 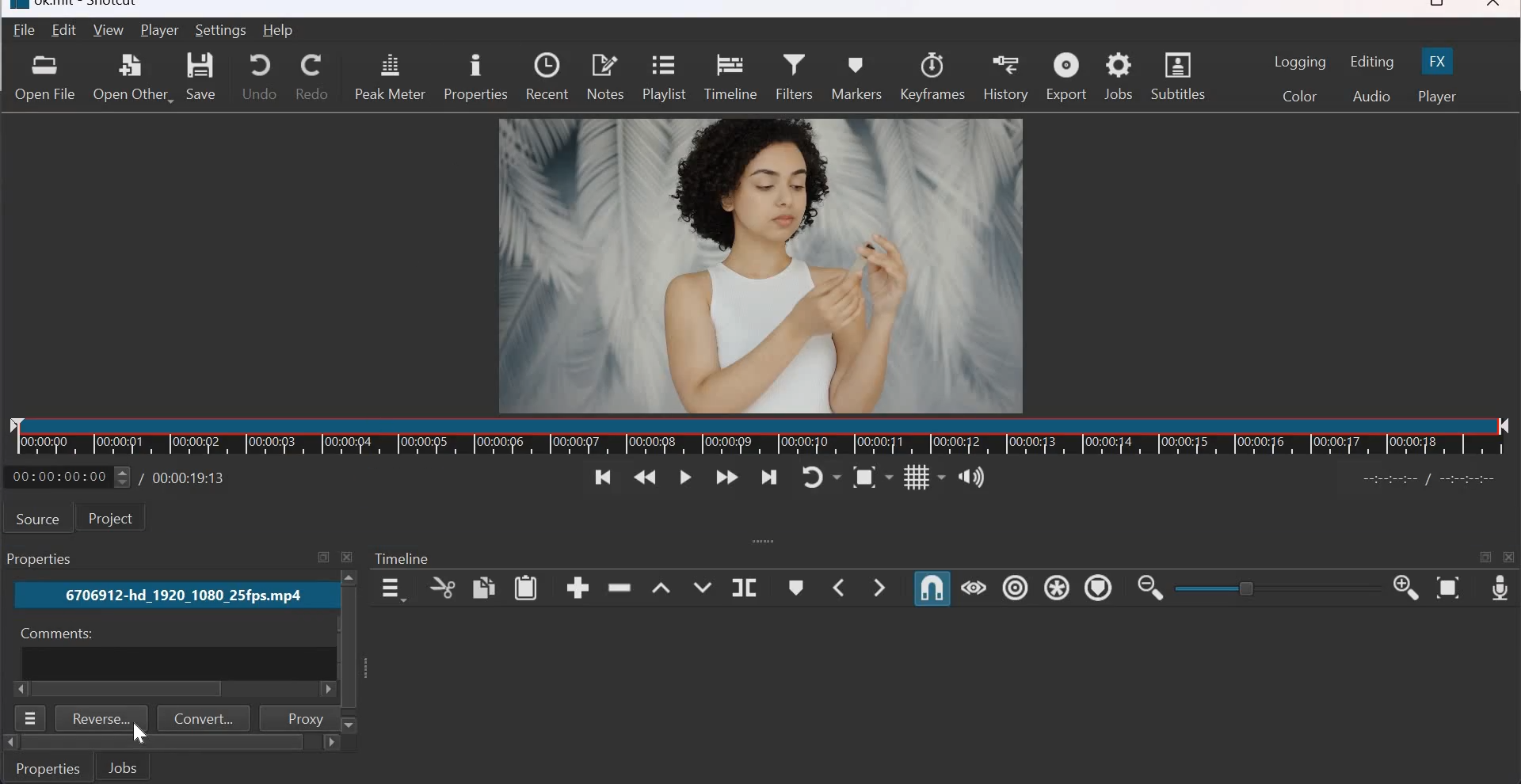 What do you see at coordinates (686, 477) in the screenshot?
I see `Toggle play or pause` at bounding box center [686, 477].